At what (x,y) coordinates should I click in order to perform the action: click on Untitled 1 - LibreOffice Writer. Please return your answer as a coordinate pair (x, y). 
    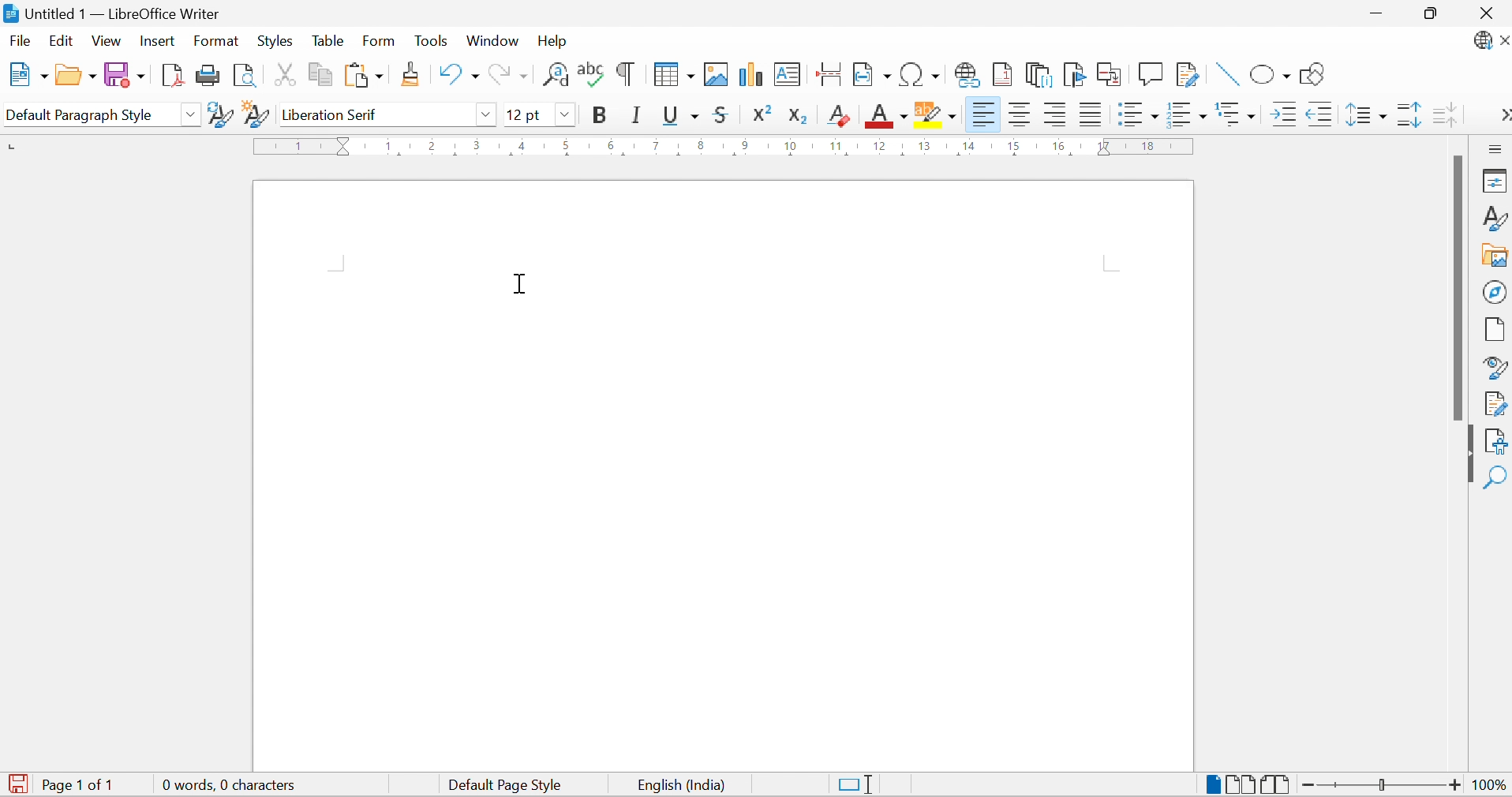
    Looking at the image, I should click on (114, 13).